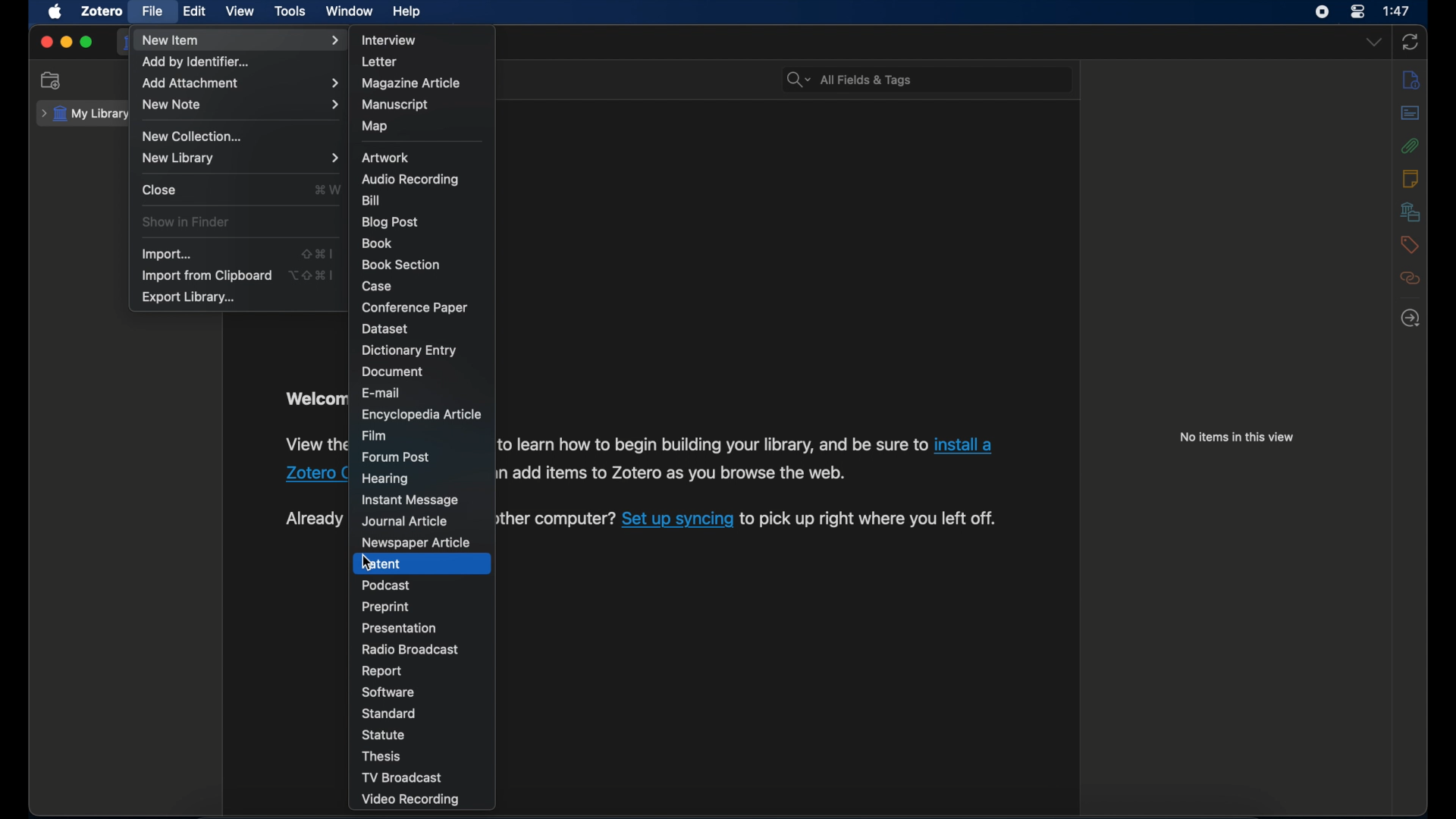  What do you see at coordinates (1410, 80) in the screenshot?
I see `info` at bounding box center [1410, 80].